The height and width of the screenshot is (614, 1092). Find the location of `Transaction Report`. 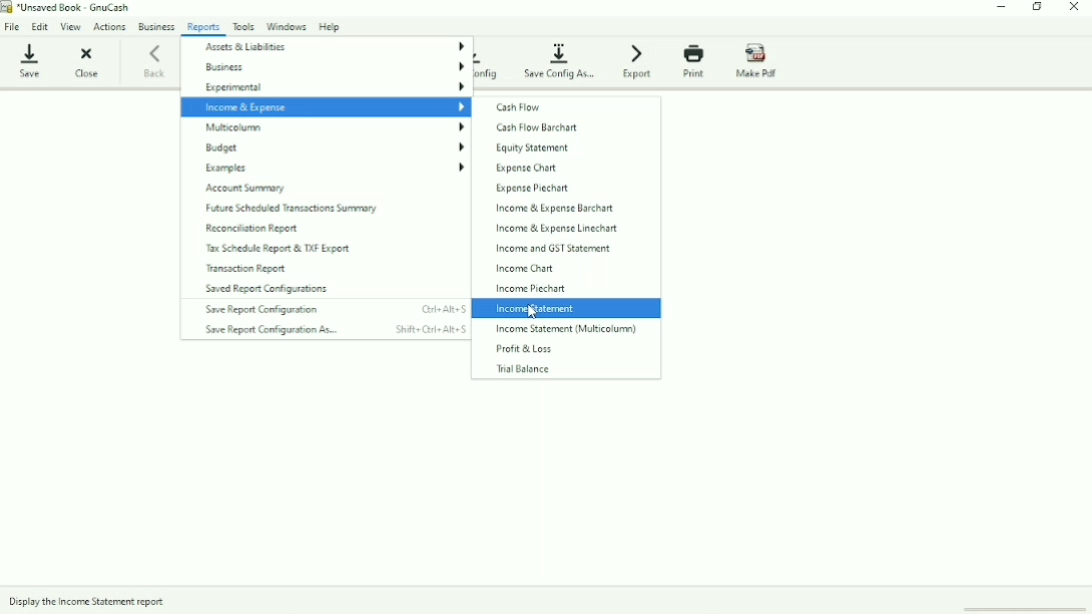

Transaction Report is located at coordinates (251, 268).